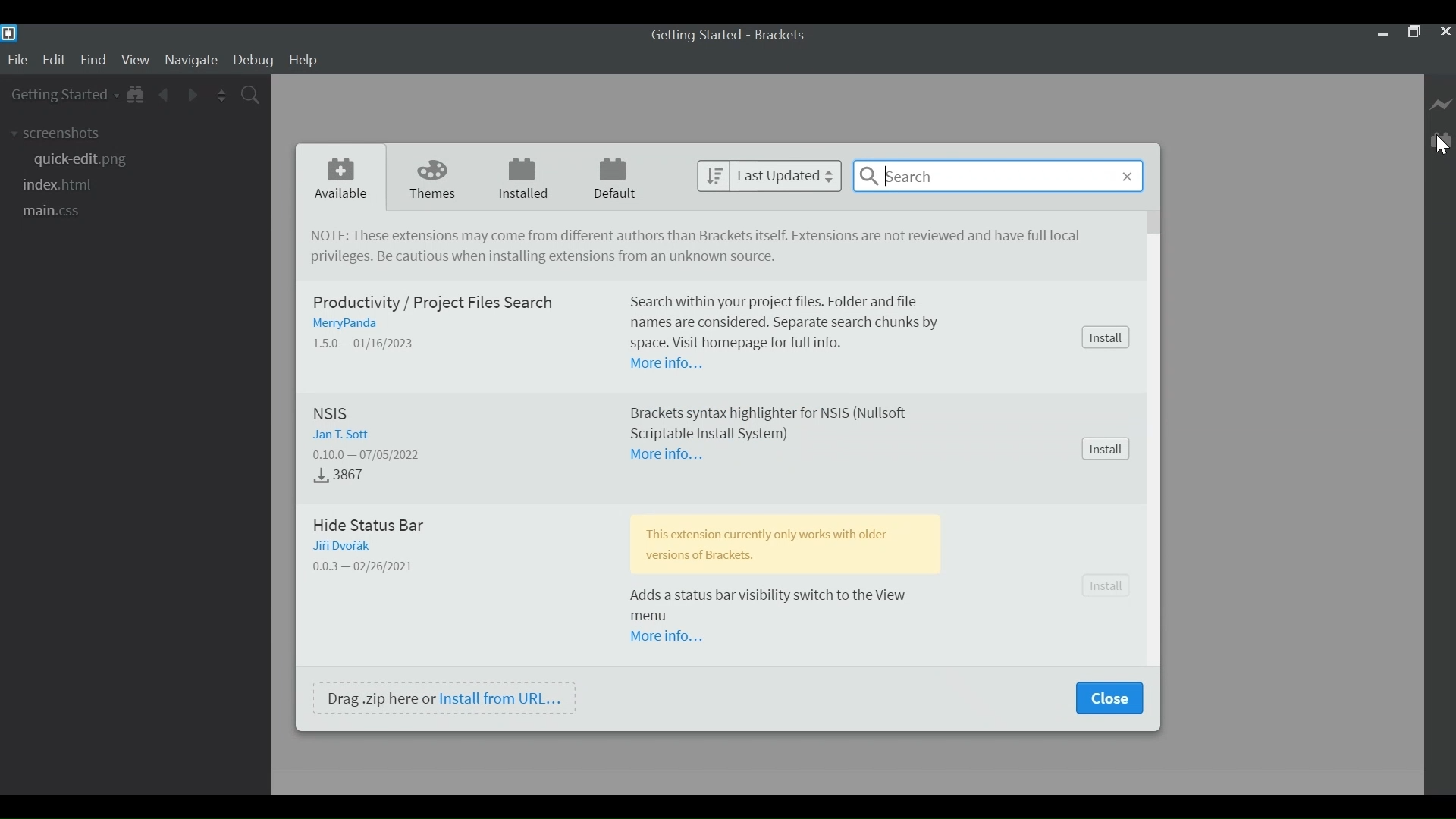 The height and width of the screenshot is (819, 1456). I want to click on Restore, so click(1414, 33).